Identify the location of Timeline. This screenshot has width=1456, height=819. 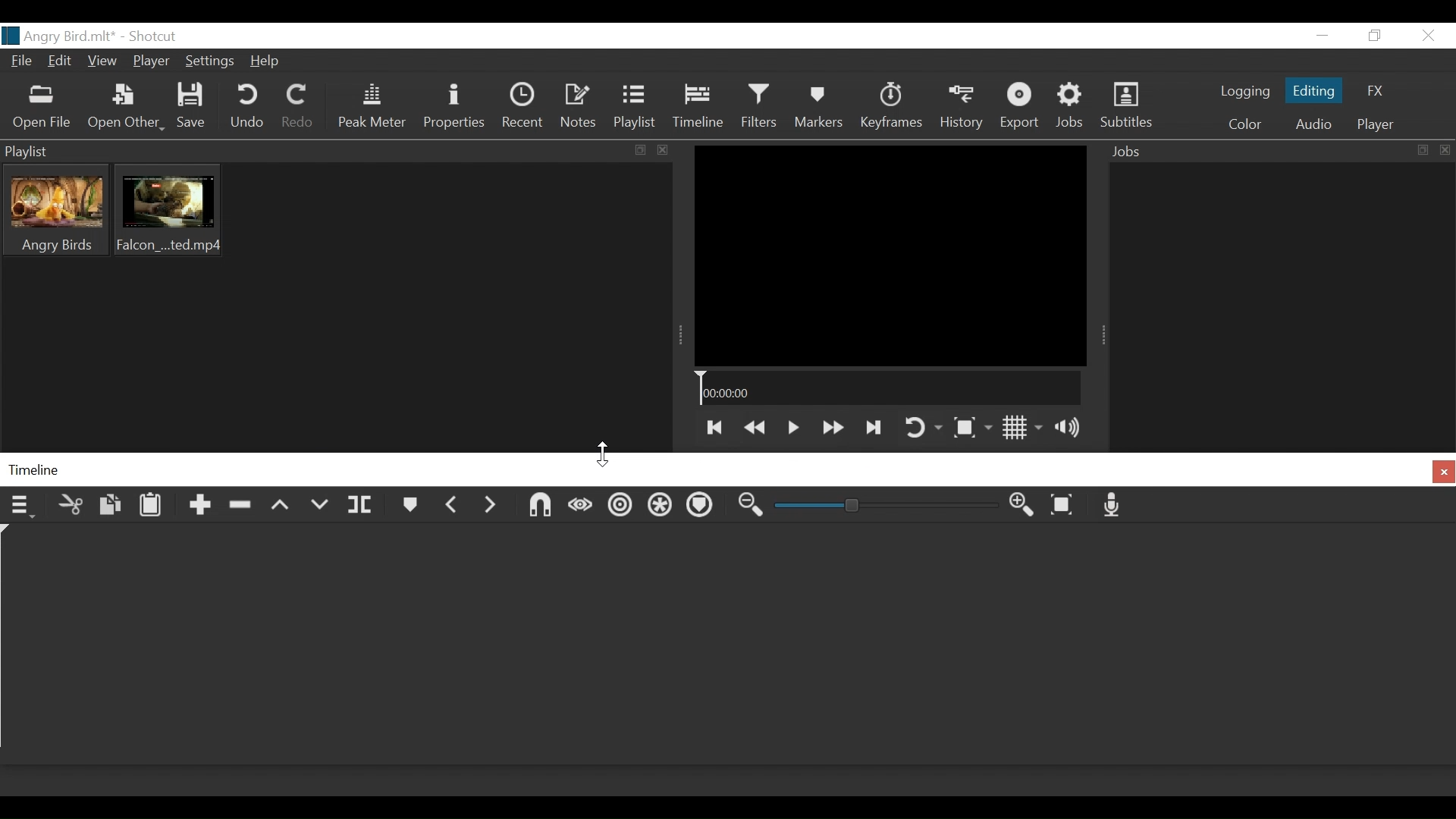
(701, 108).